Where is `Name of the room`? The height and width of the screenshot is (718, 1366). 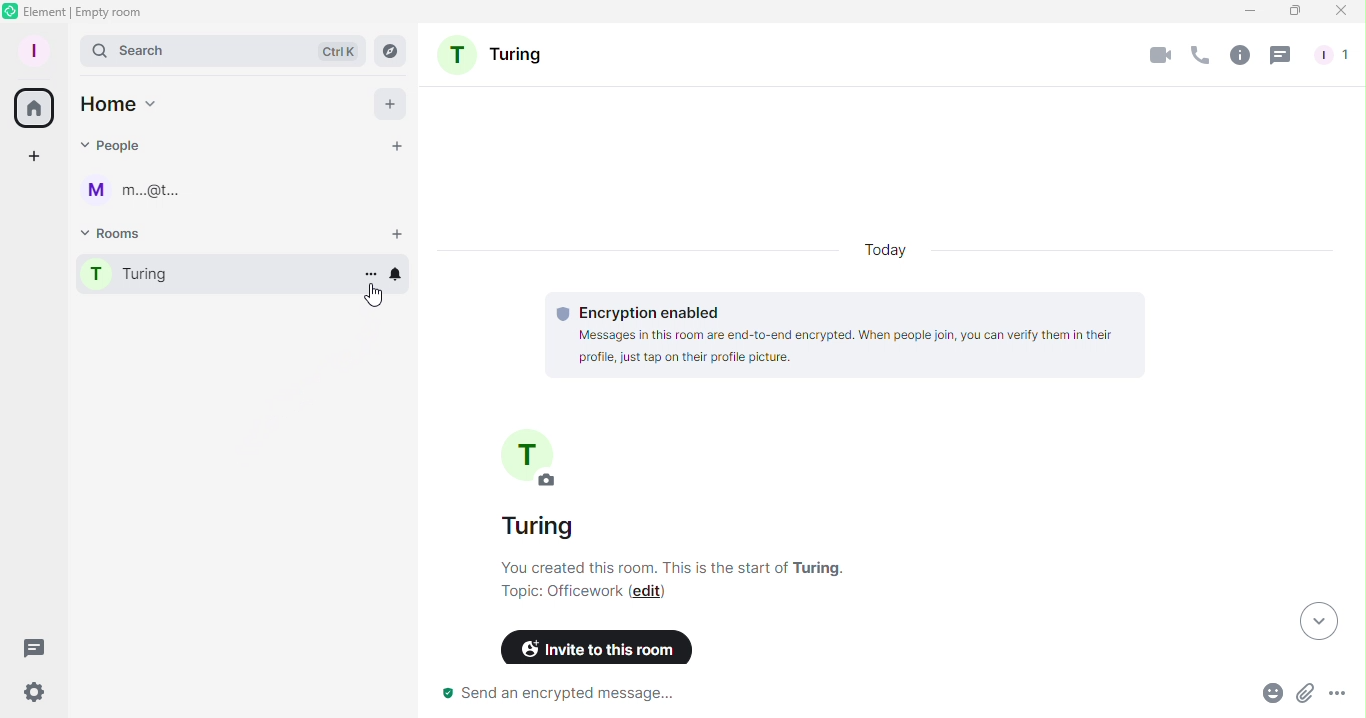 Name of the room is located at coordinates (538, 525).